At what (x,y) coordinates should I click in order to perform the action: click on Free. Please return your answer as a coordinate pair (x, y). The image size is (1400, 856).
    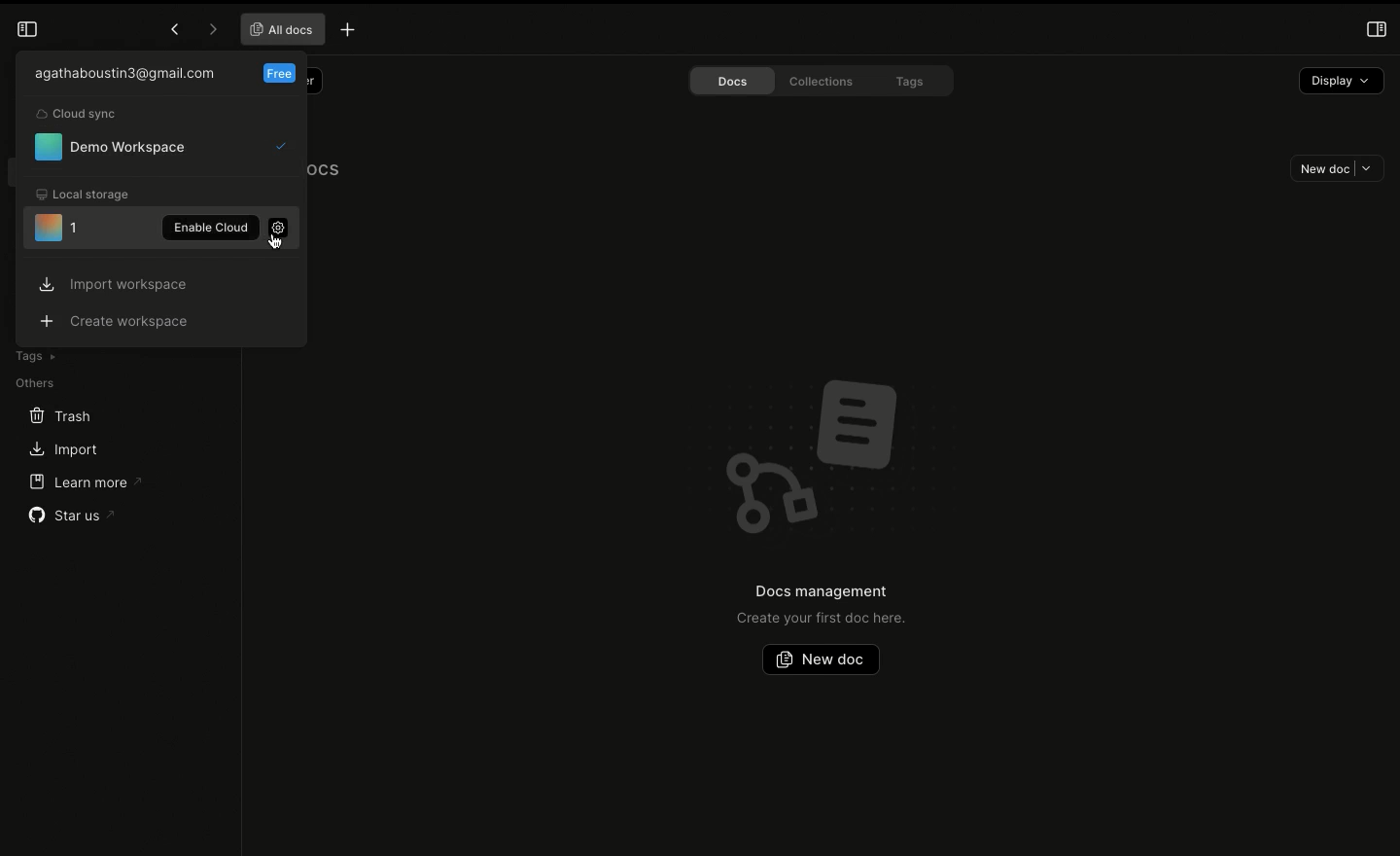
    Looking at the image, I should click on (279, 73).